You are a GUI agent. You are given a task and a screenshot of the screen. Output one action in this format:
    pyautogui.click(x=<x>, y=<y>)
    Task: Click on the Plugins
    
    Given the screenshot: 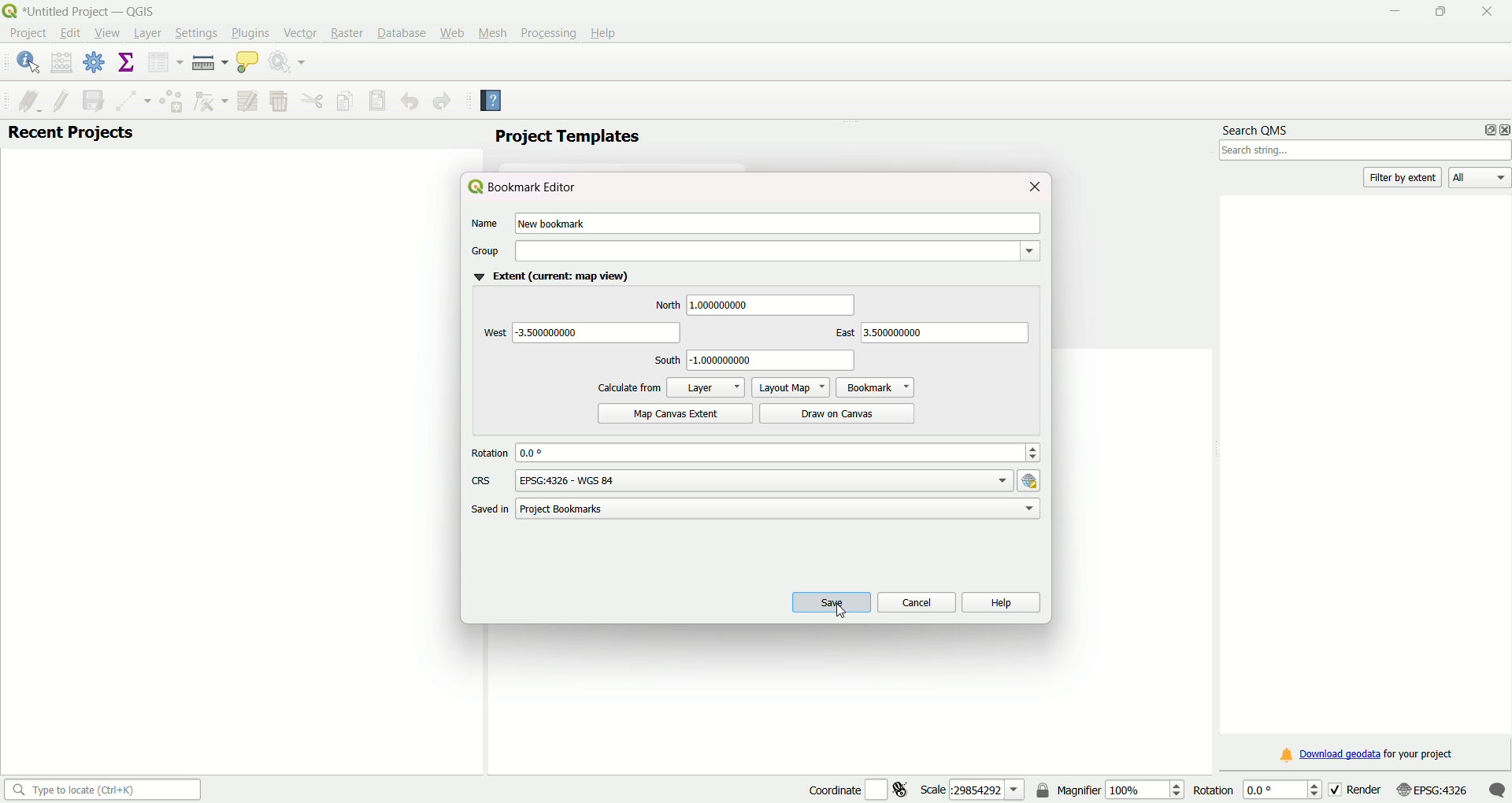 What is the action you would take?
    pyautogui.click(x=250, y=32)
    